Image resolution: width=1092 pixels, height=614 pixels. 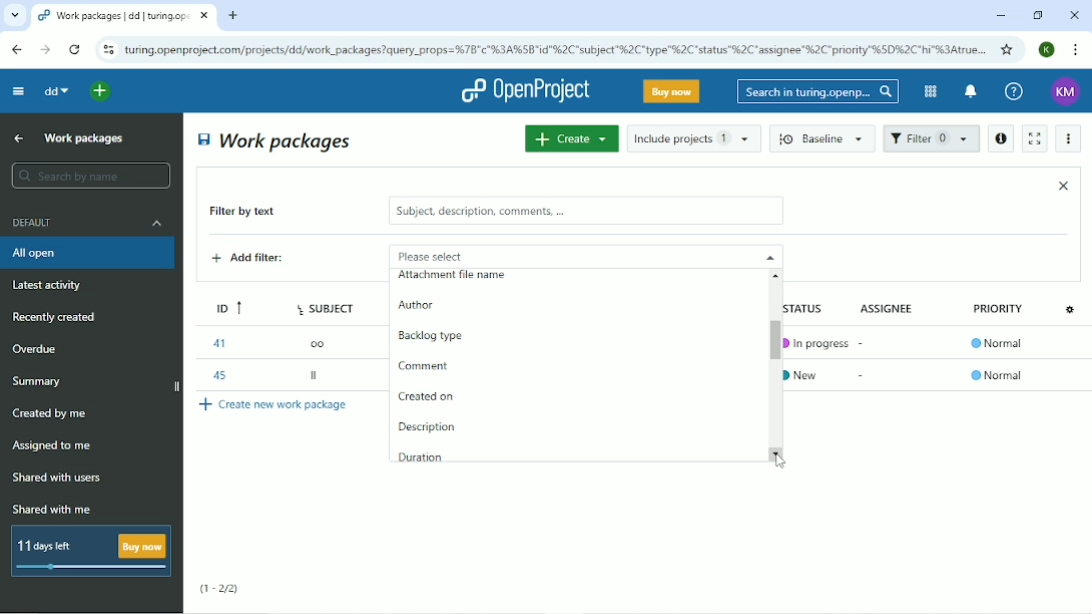 What do you see at coordinates (864, 340) in the screenshot?
I see `-` at bounding box center [864, 340].